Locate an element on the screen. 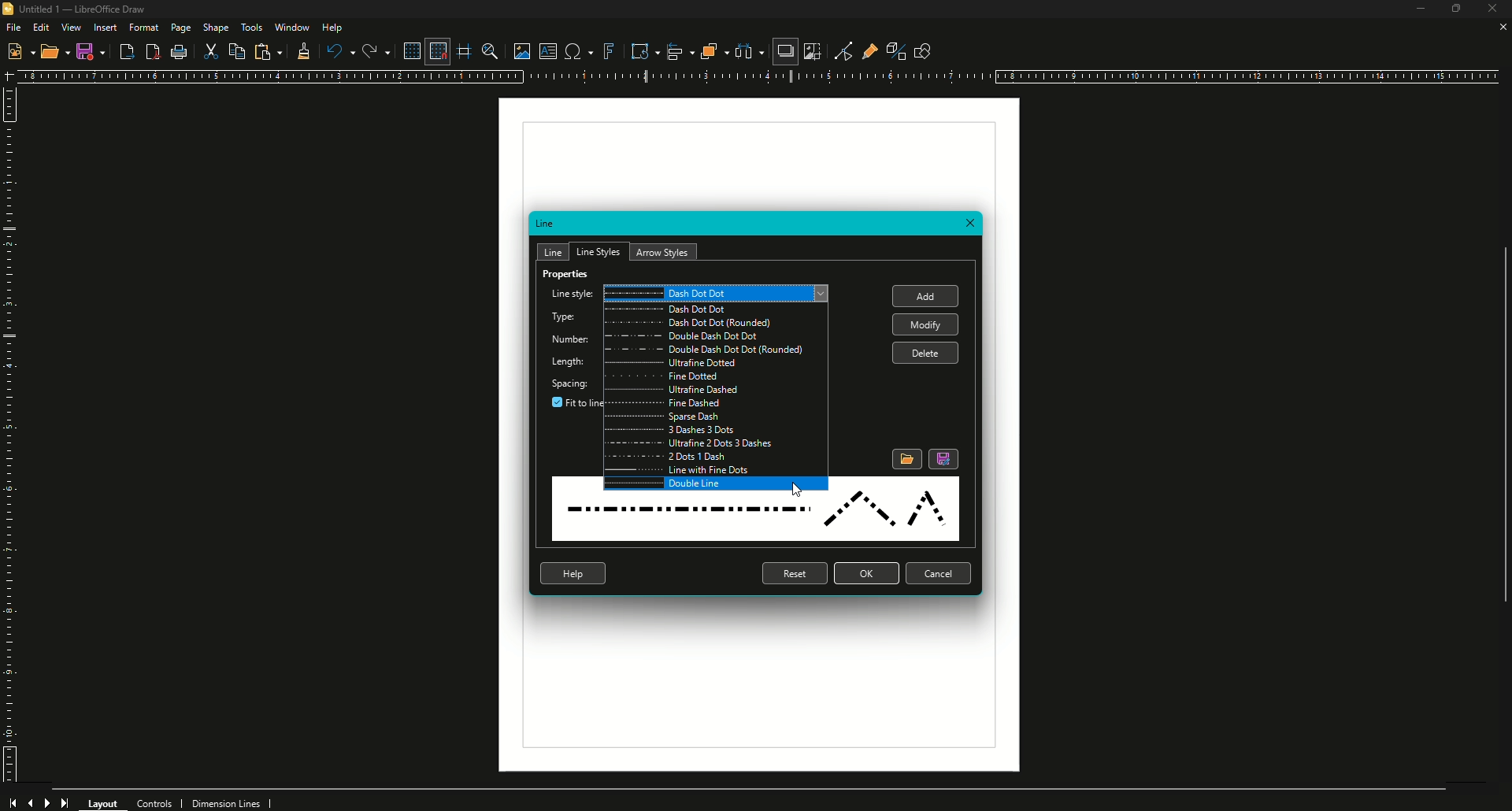  Double Dash Dot Dot (Rounded) is located at coordinates (717, 350).